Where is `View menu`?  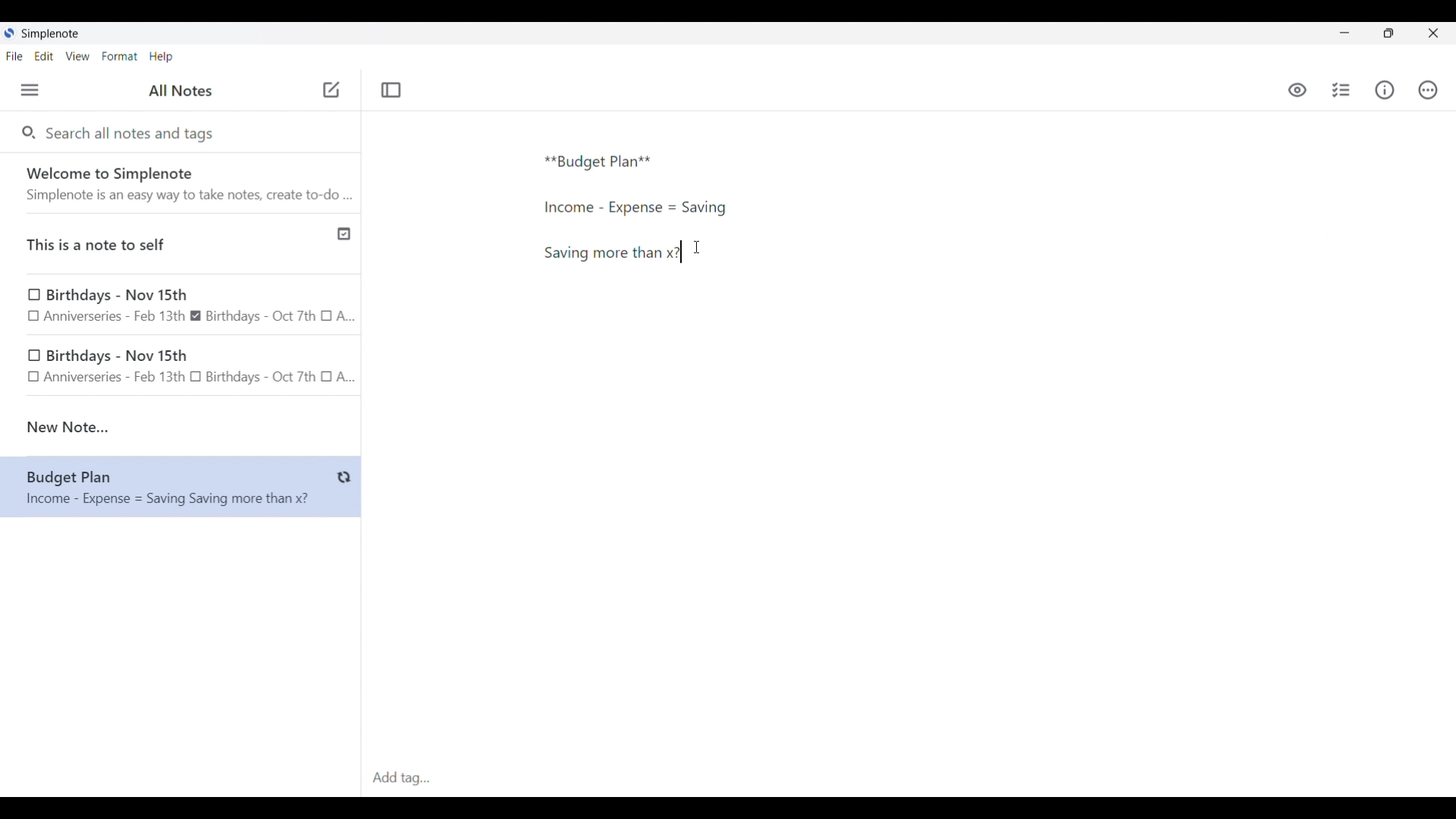 View menu is located at coordinates (78, 55).